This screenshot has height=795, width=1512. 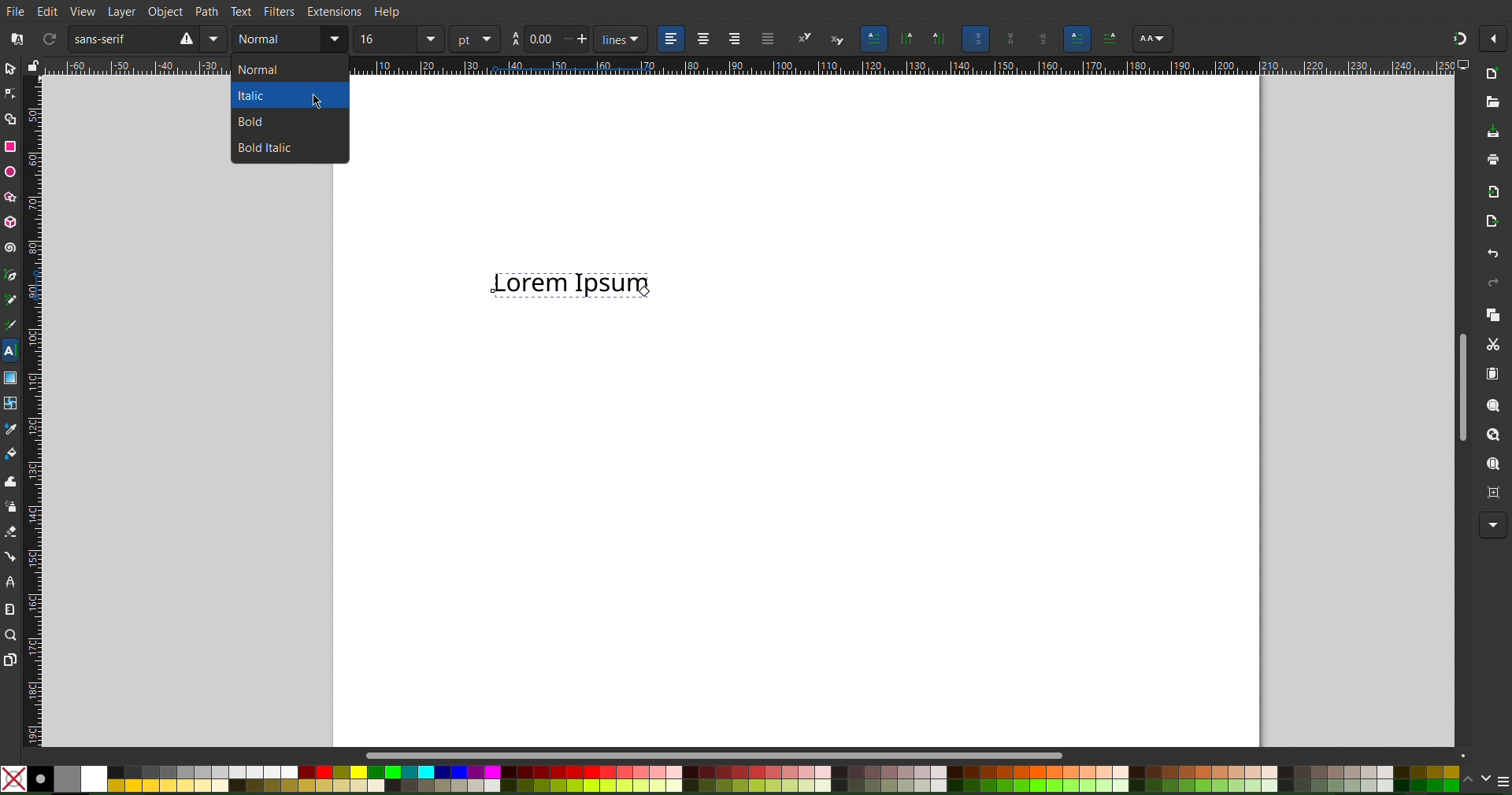 What do you see at coordinates (1492, 526) in the screenshot?
I see `More Options` at bounding box center [1492, 526].